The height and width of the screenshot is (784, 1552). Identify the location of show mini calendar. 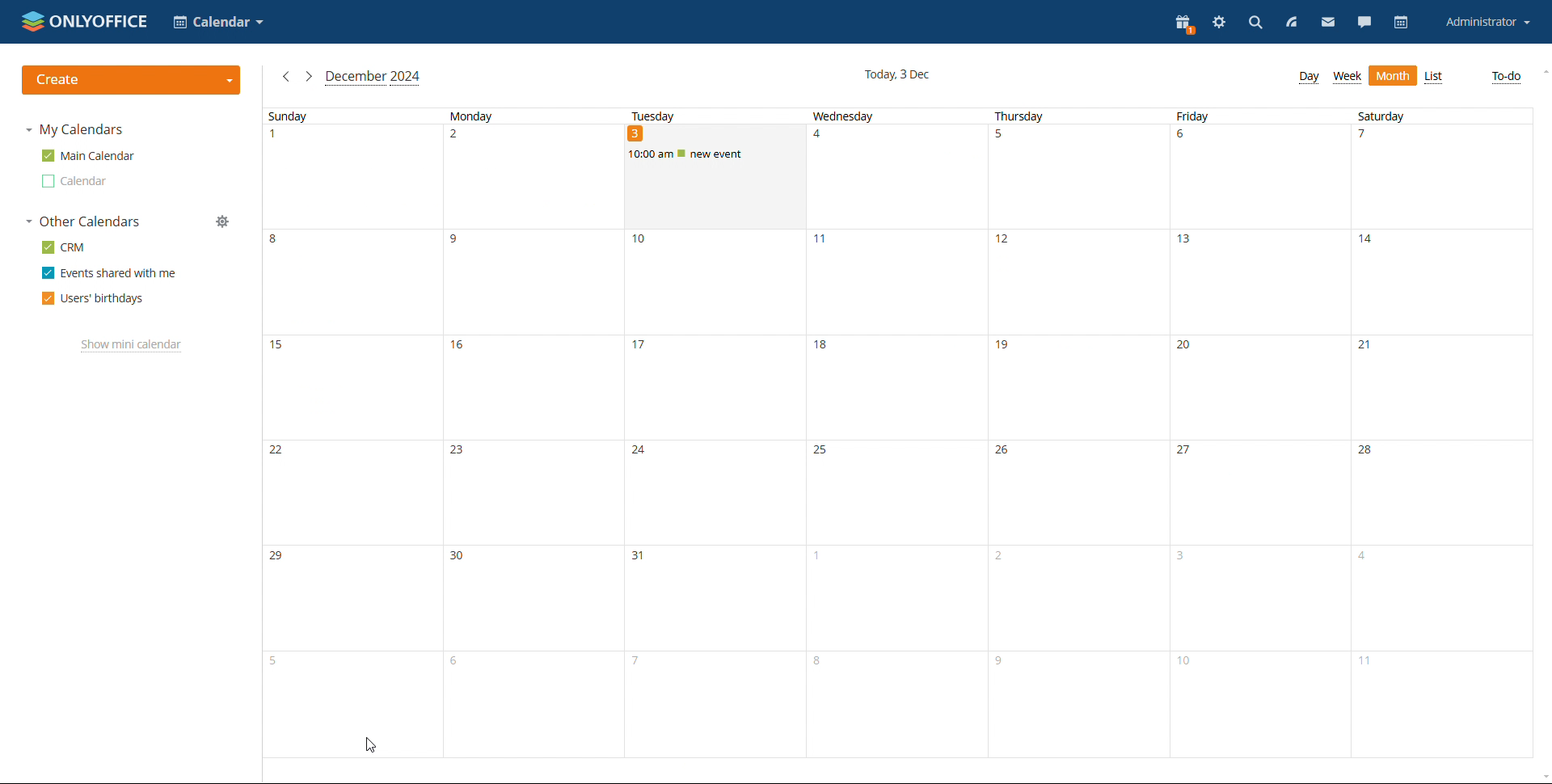
(132, 346).